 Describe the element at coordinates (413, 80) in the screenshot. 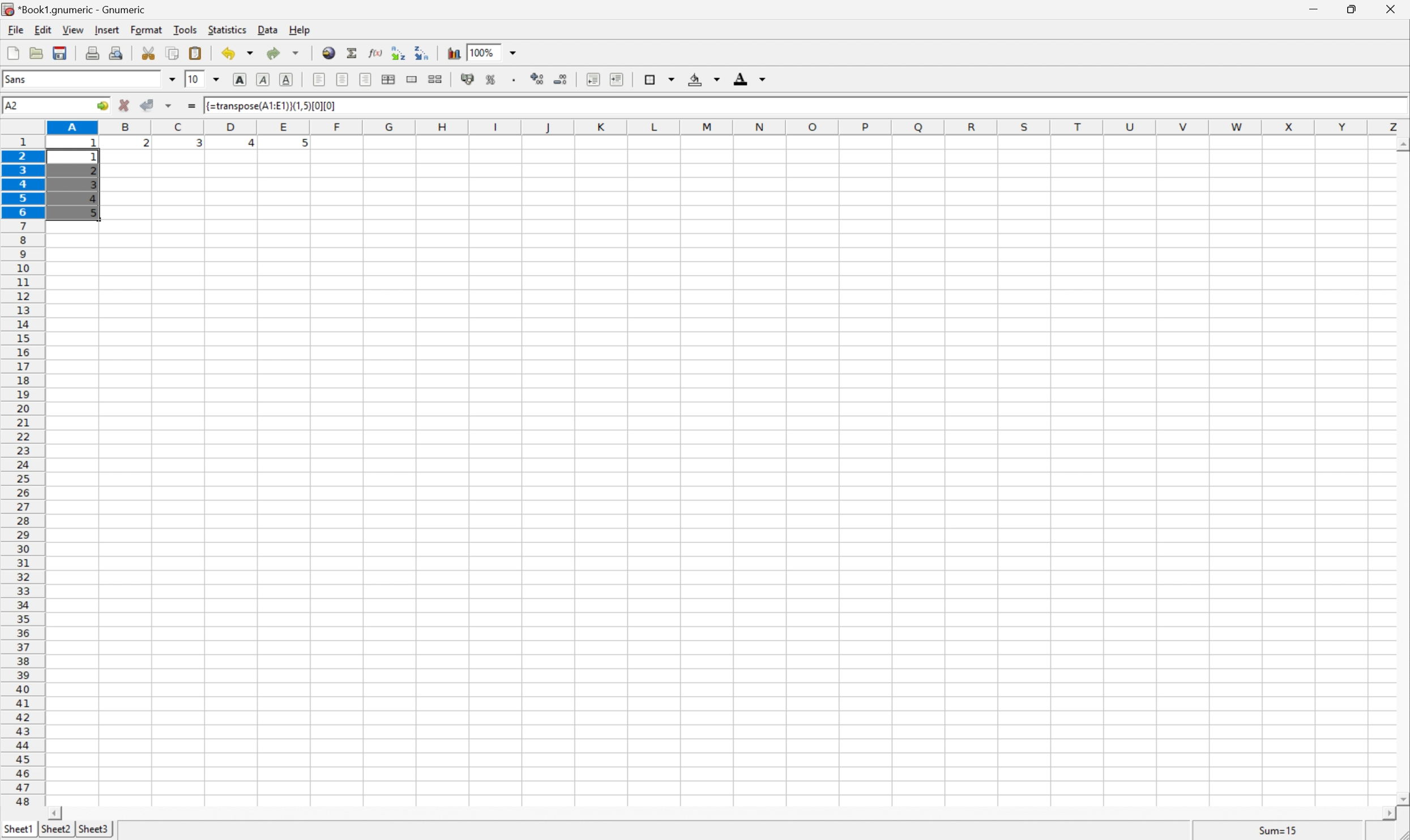

I see `merge a range of cells` at that location.